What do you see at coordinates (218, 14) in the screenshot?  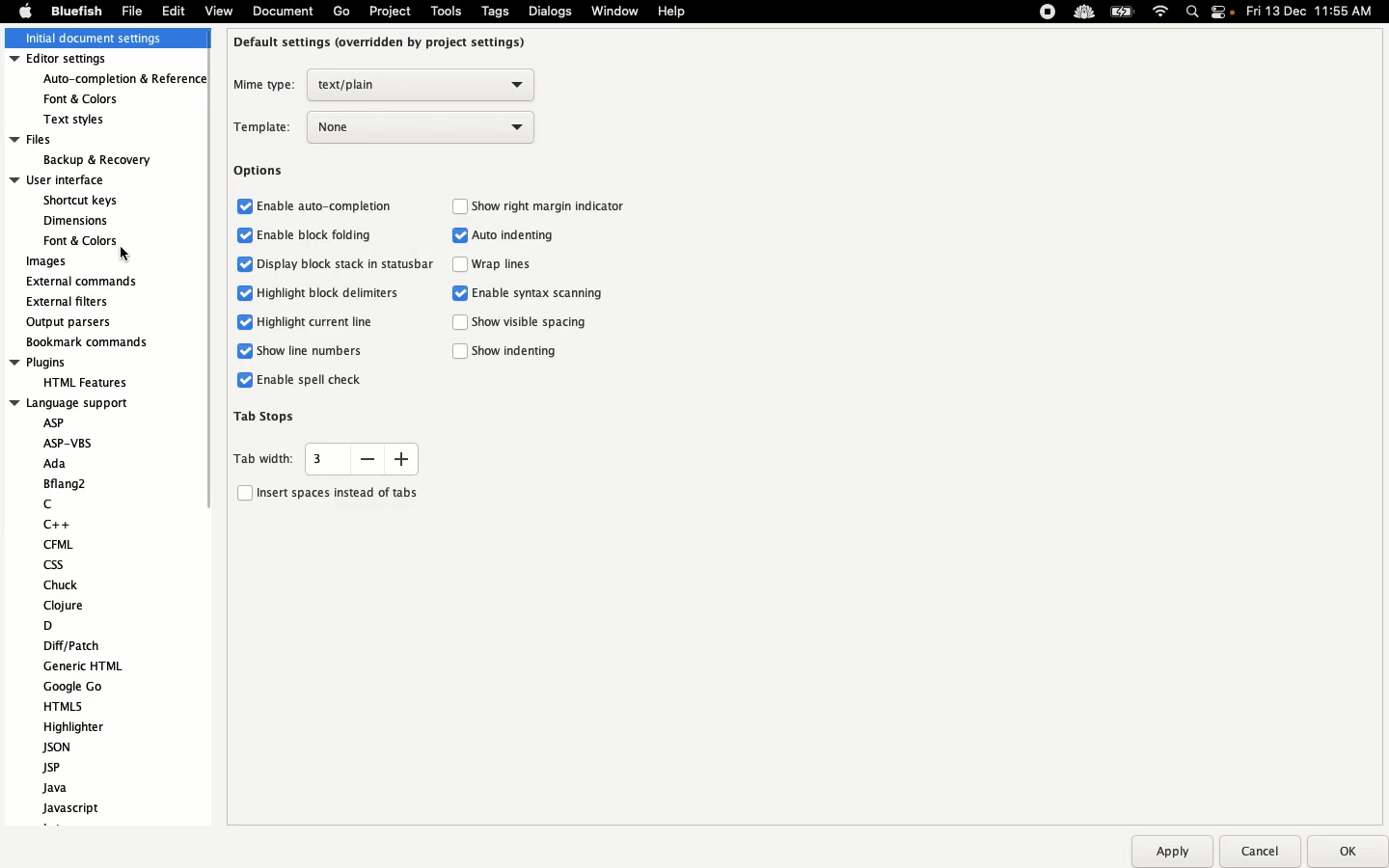 I see `view` at bounding box center [218, 14].